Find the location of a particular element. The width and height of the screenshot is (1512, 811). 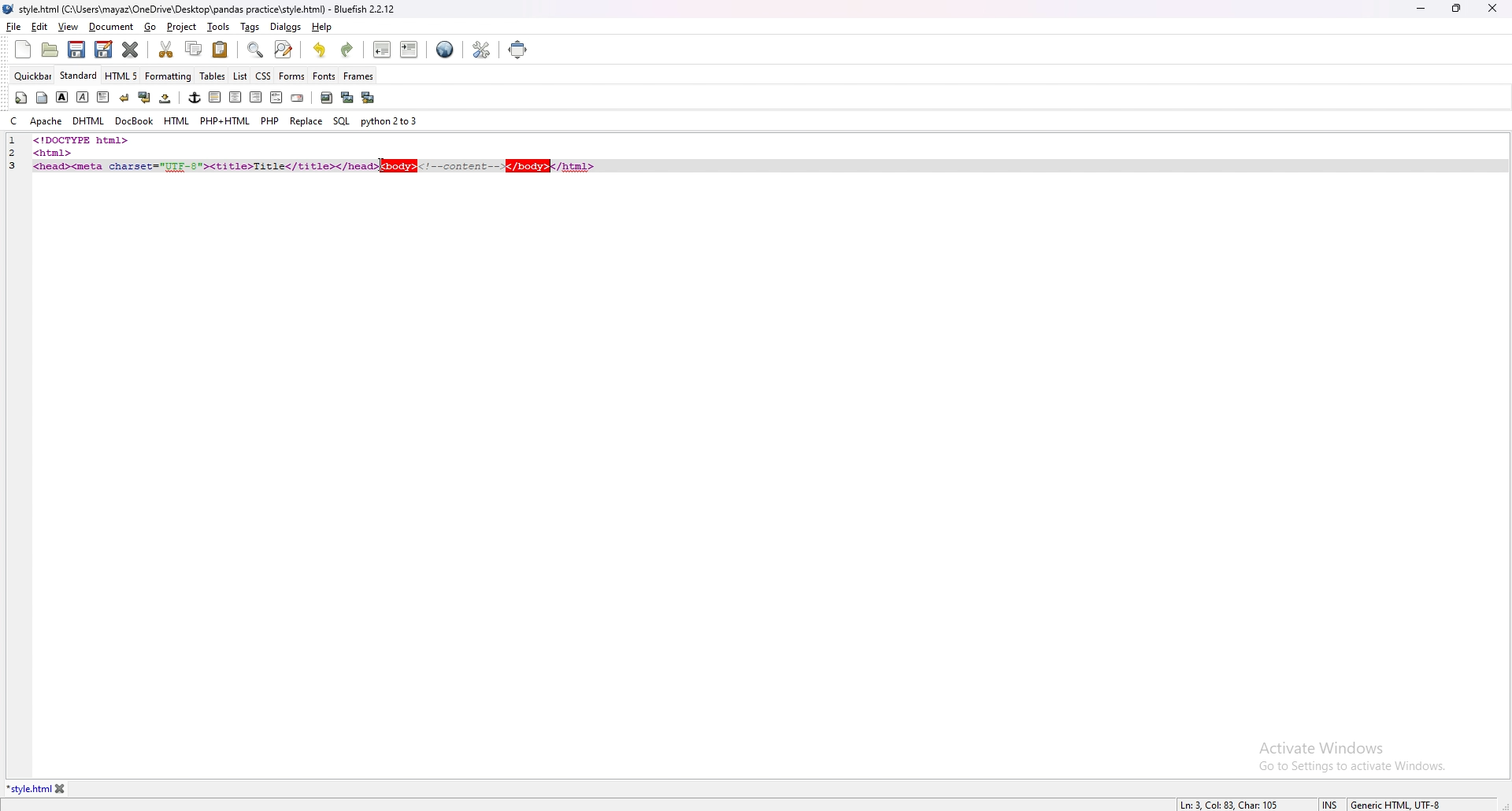

email is located at coordinates (297, 98).